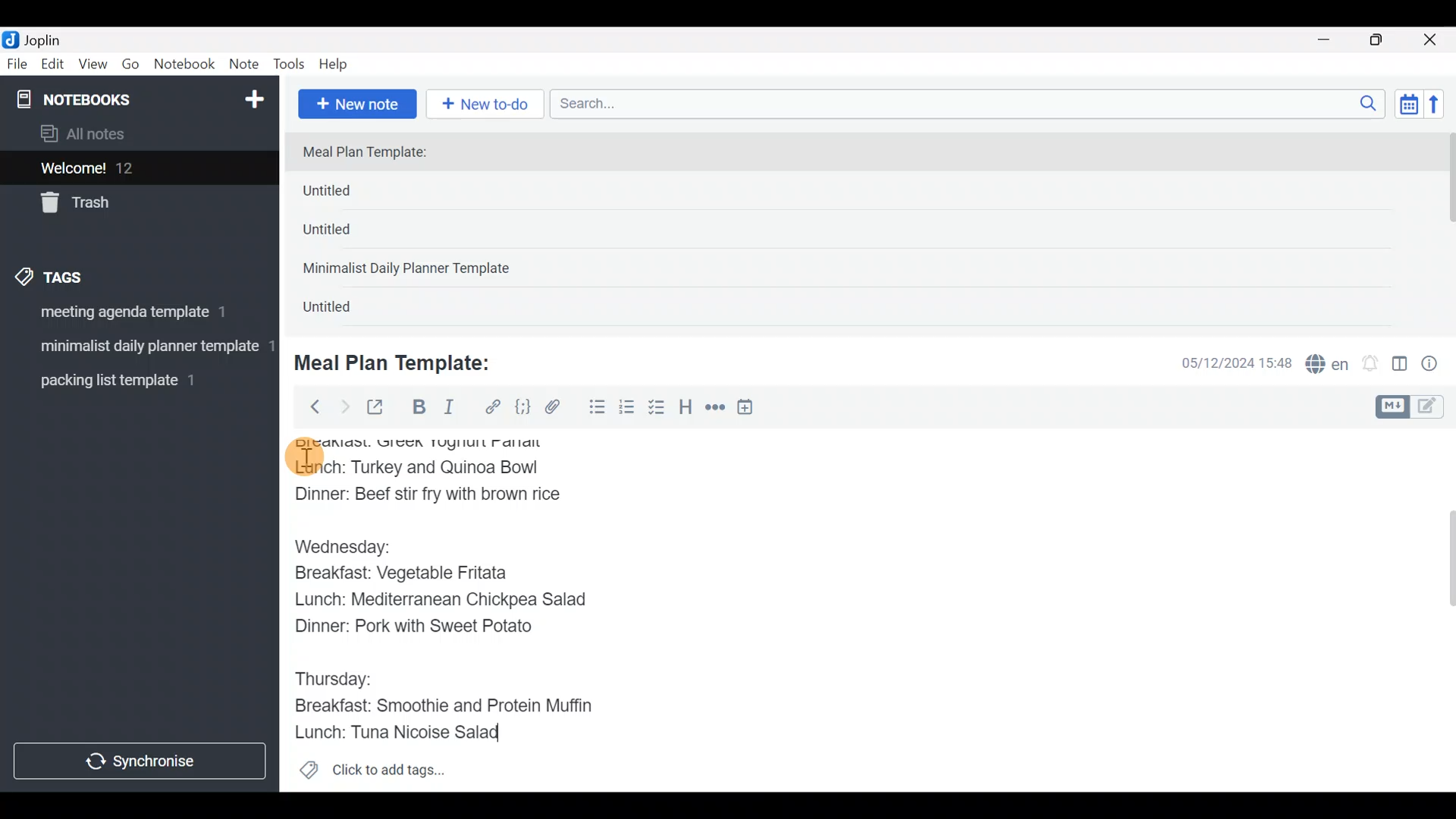 The height and width of the screenshot is (819, 1456). What do you see at coordinates (411, 270) in the screenshot?
I see `Minimalist Daily Planner Template` at bounding box center [411, 270].